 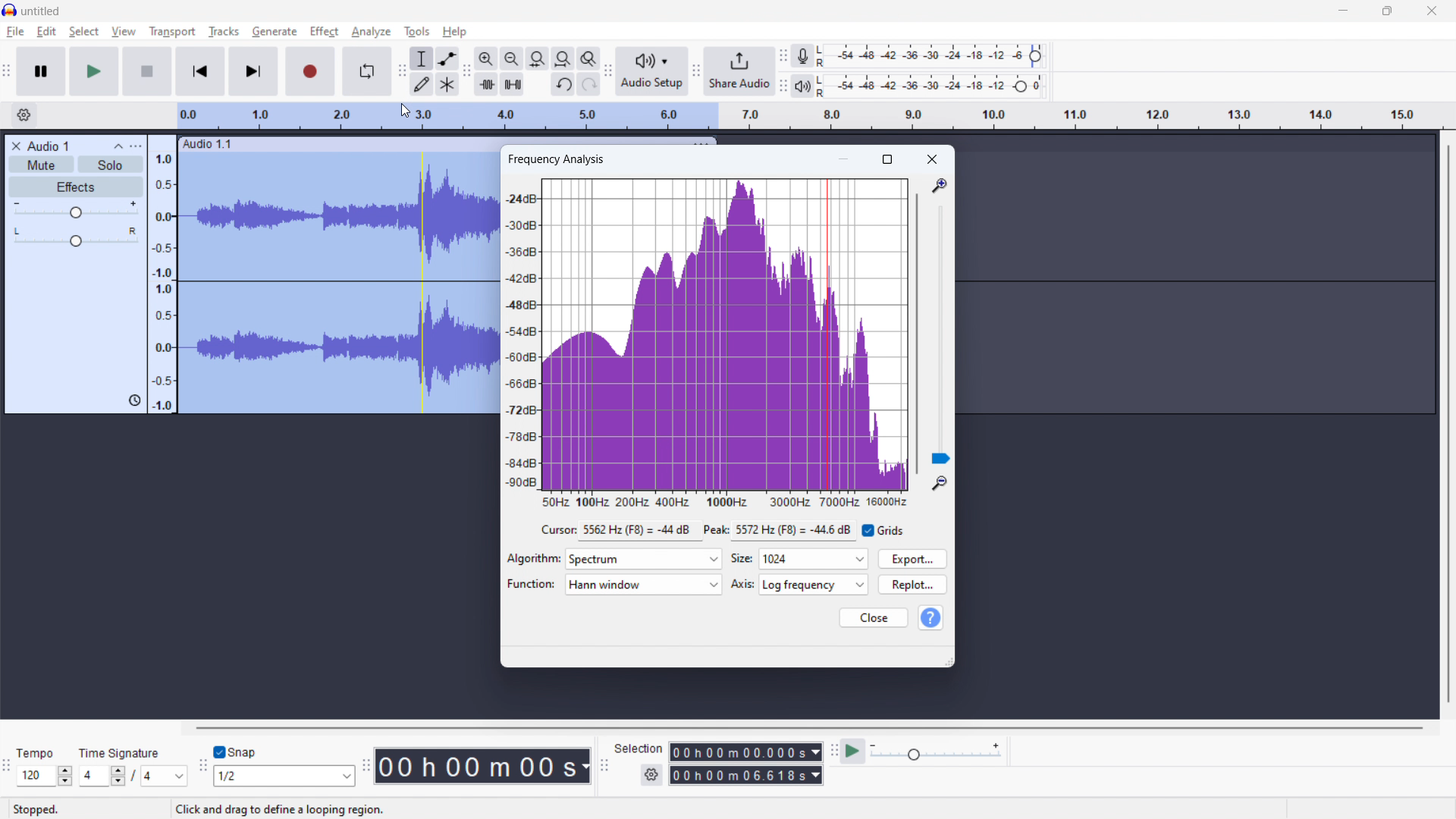 I want to click on close, so click(x=933, y=159).